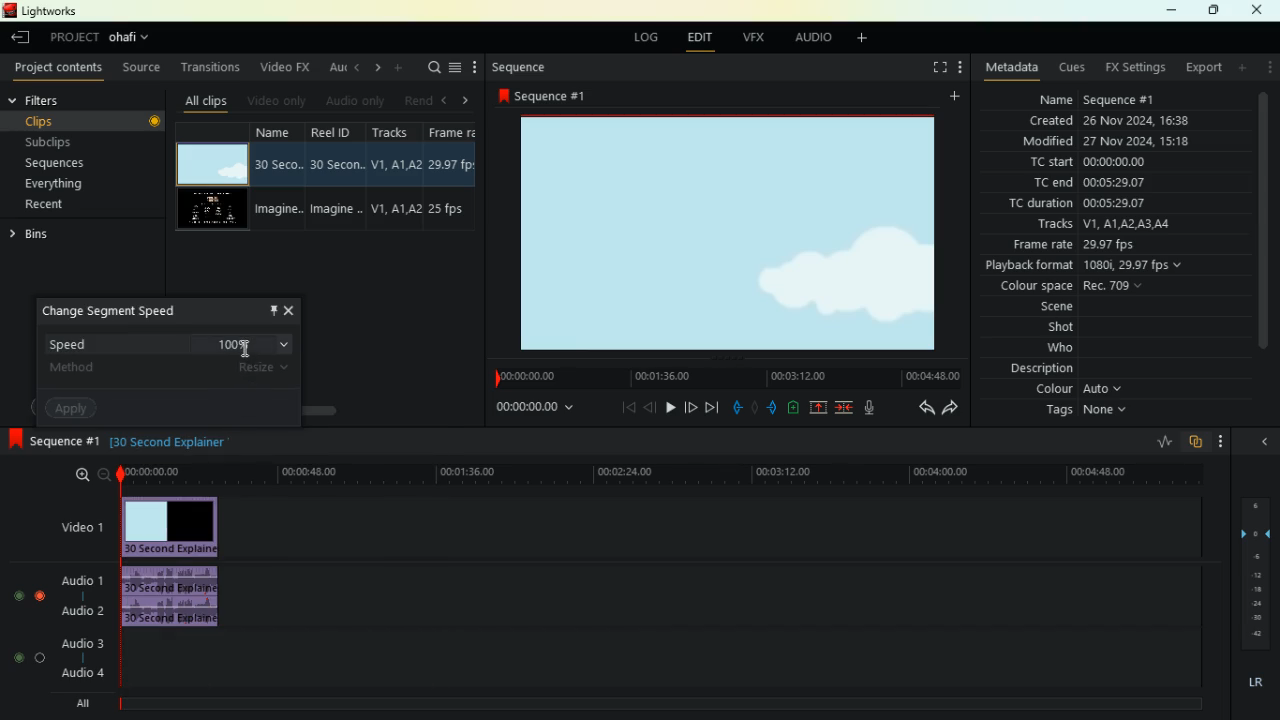 The width and height of the screenshot is (1280, 720). Describe the element at coordinates (620, 407) in the screenshot. I see `beggining` at that location.